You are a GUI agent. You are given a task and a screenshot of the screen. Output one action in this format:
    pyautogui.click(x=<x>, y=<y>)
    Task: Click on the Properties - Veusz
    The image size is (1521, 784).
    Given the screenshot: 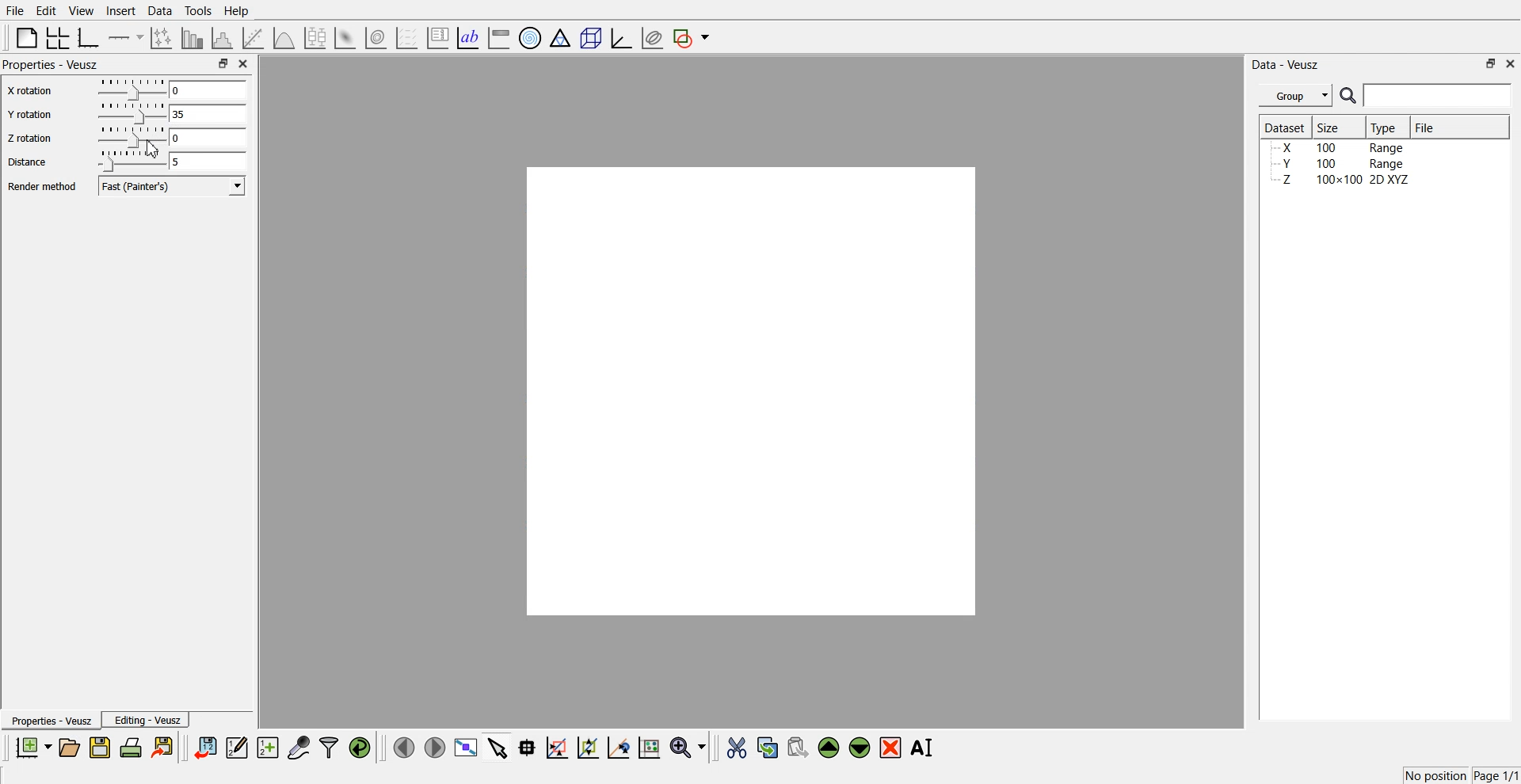 What is the action you would take?
    pyautogui.click(x=51, y=64)
    